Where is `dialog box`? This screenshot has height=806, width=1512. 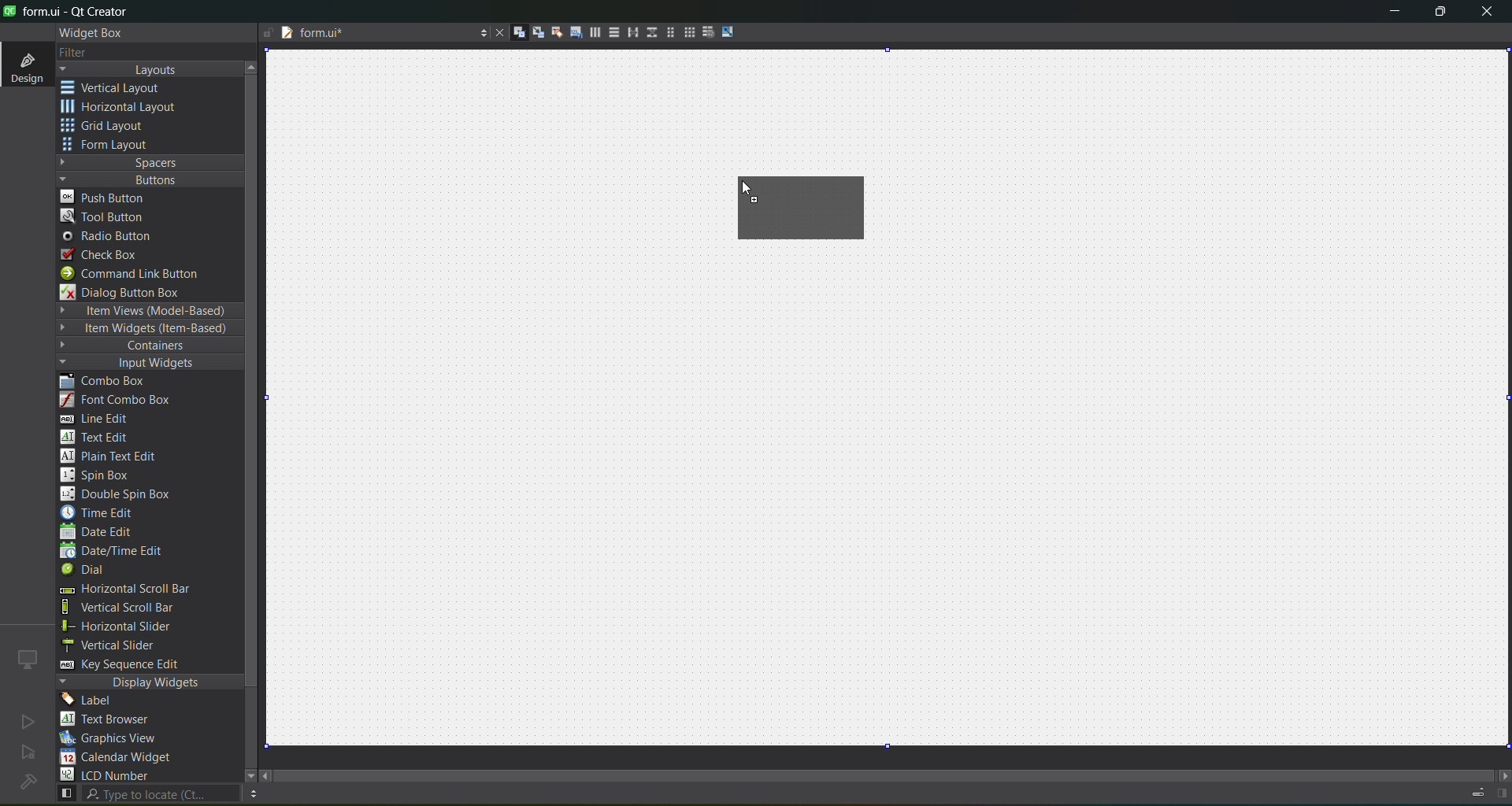 dialog box is located at coordinates (132, 292).